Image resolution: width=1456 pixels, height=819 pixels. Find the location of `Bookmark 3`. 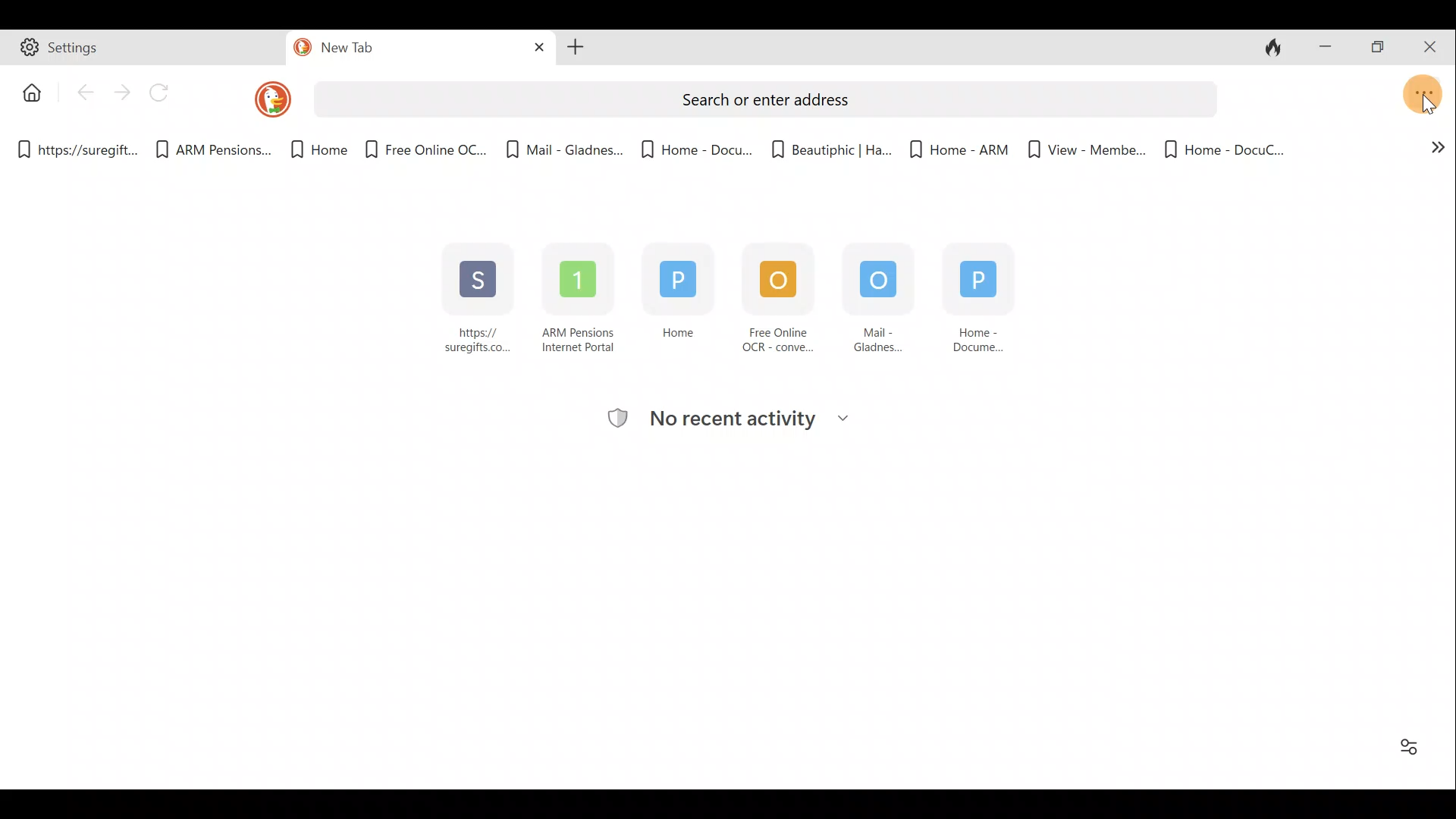

Bookmark 3 is located at coordinates (311, 150).